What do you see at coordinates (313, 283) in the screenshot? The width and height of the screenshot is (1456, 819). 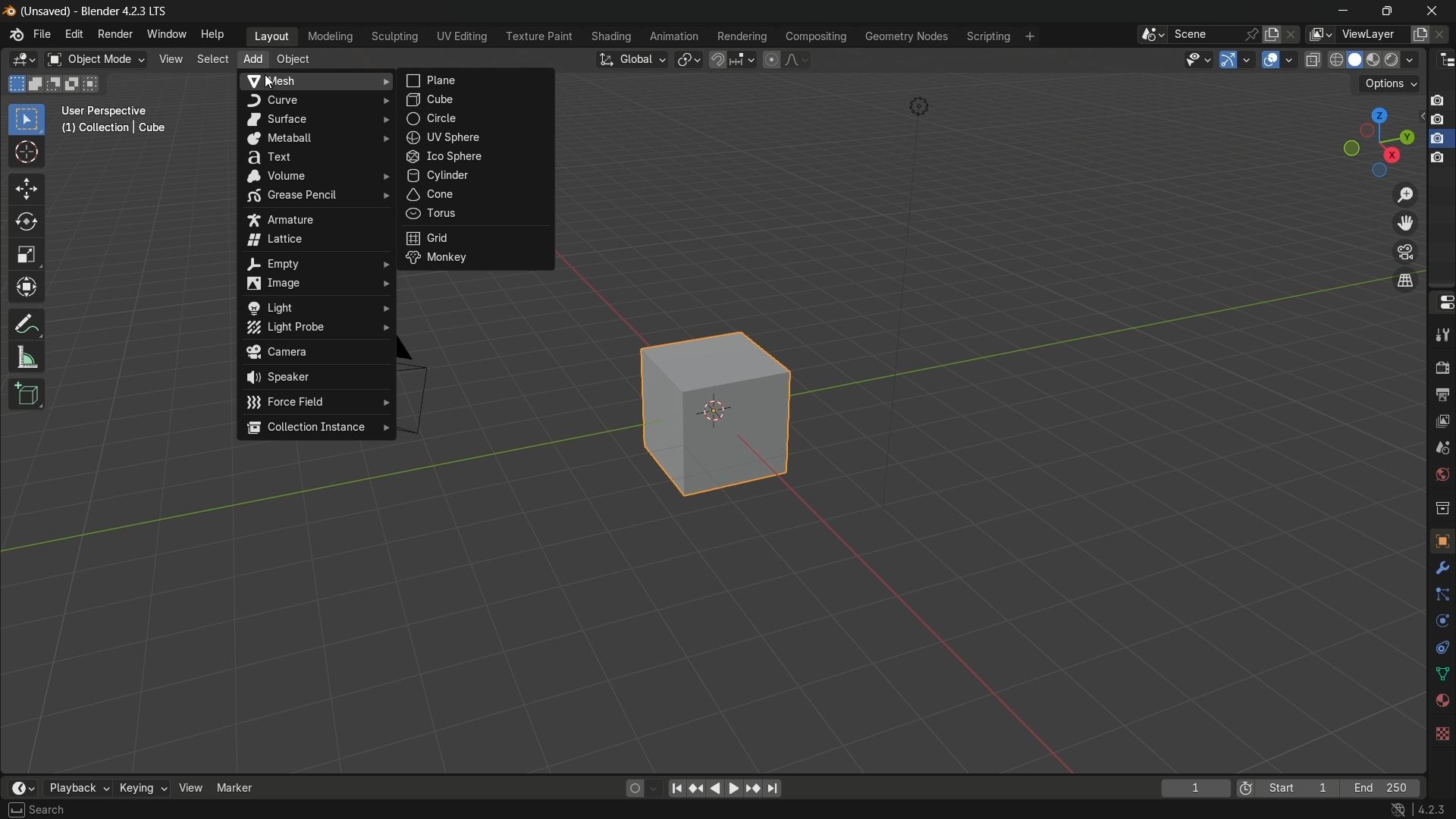 I see `image` at bounding box center [313, 283].